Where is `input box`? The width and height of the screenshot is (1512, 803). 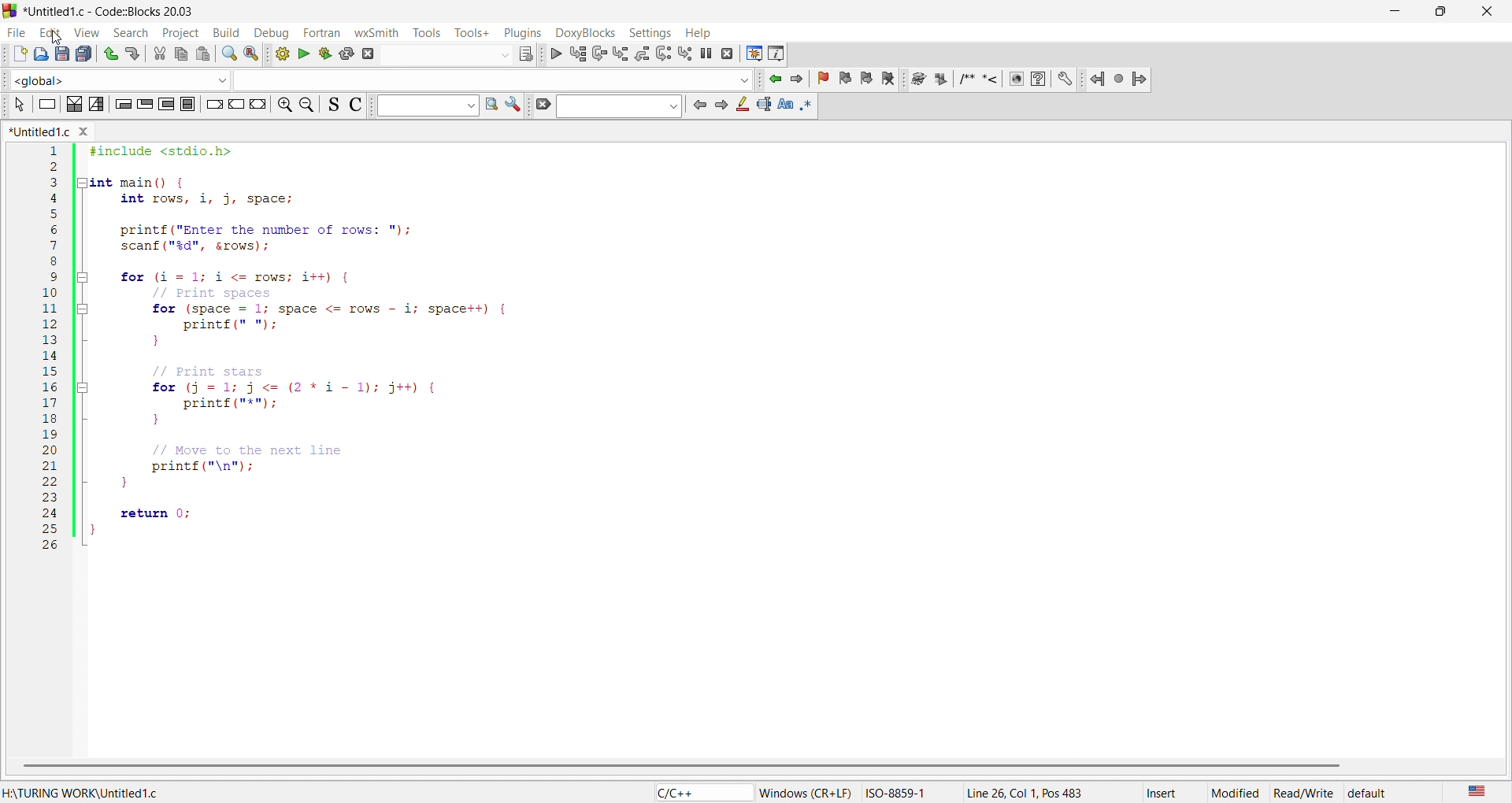 input box is located at coordinates (494, 78).